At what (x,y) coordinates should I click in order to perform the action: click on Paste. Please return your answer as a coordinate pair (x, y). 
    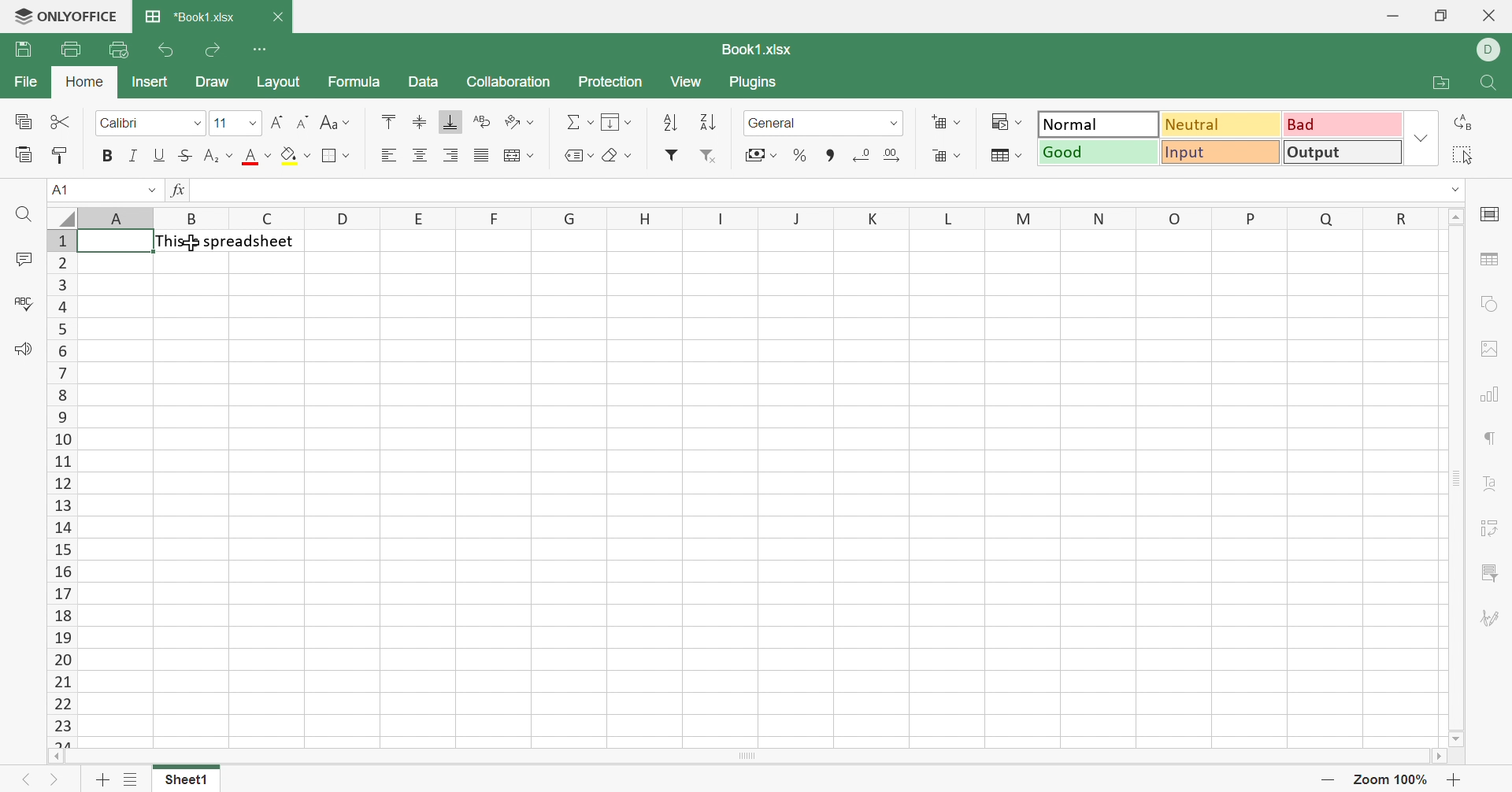
    Looking at the image, I should click on (24, 154).